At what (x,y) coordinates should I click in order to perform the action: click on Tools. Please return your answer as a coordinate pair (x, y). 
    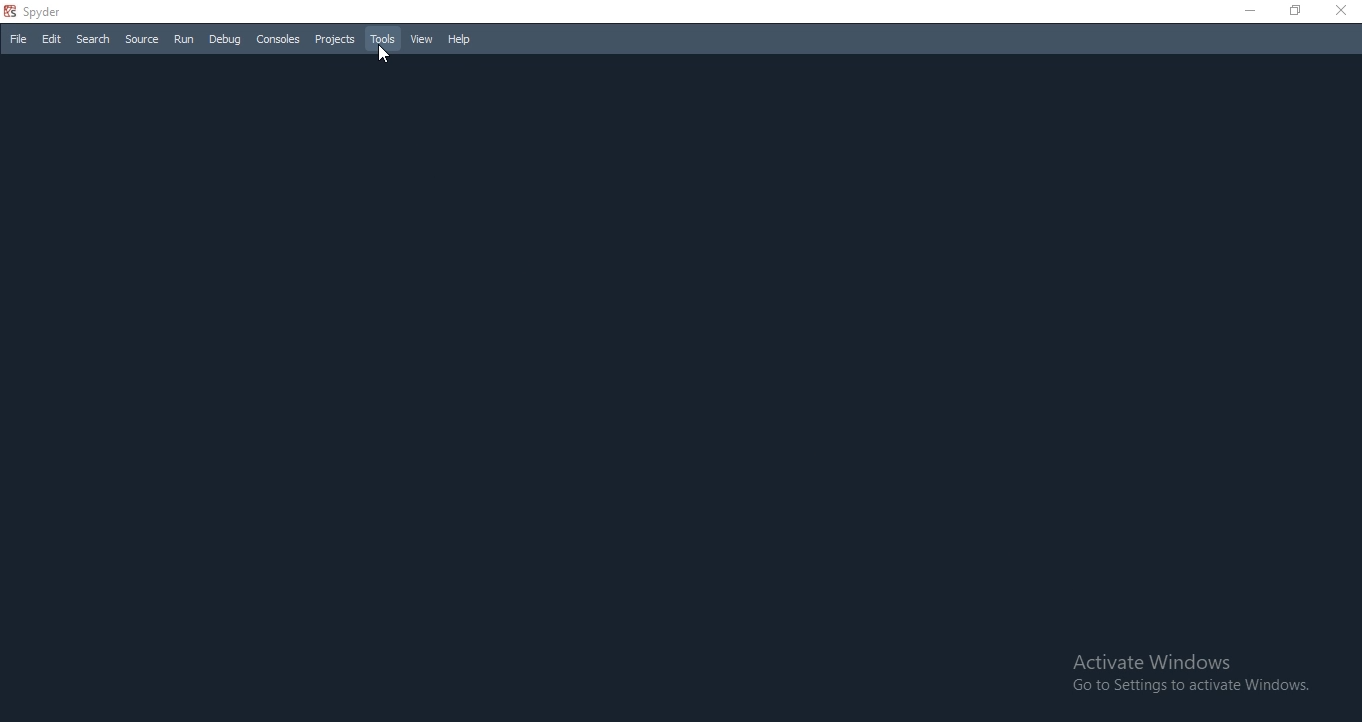
    Looking at the image, I should click on (383, 39).